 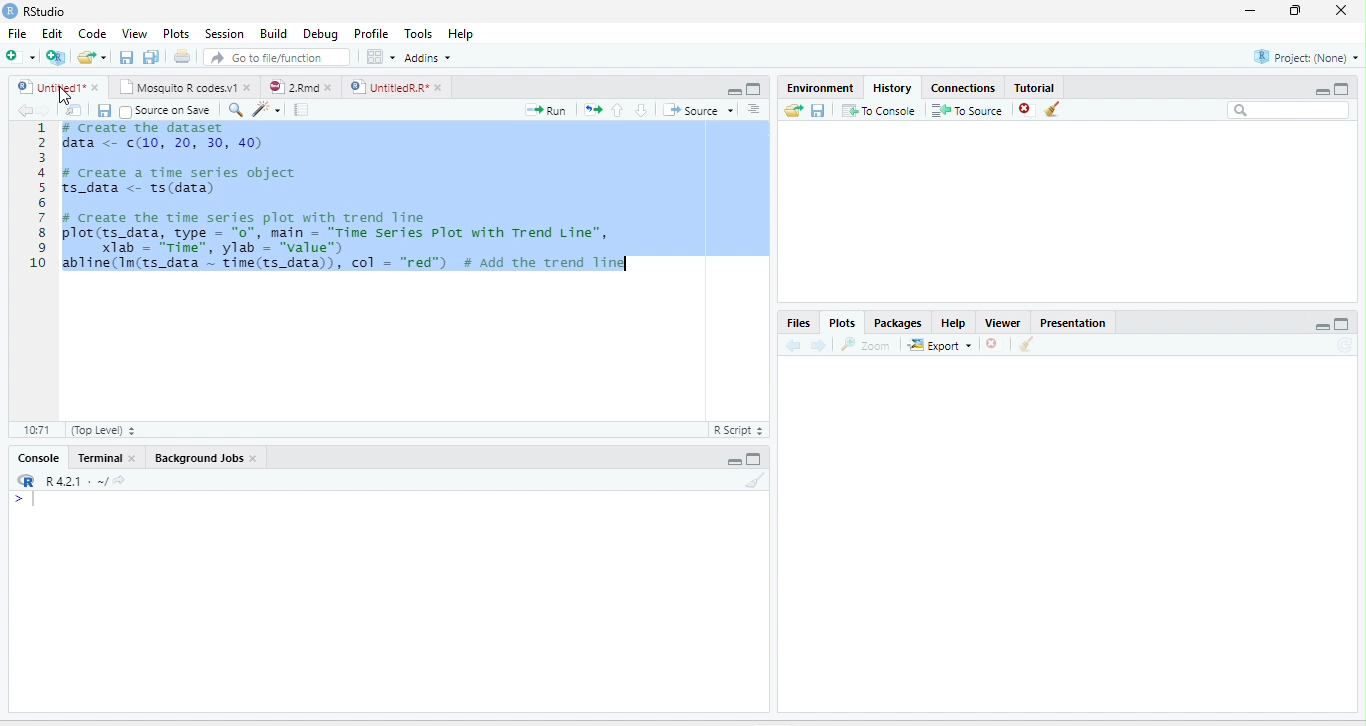 I want to click on History, so click(x=893, y=87).